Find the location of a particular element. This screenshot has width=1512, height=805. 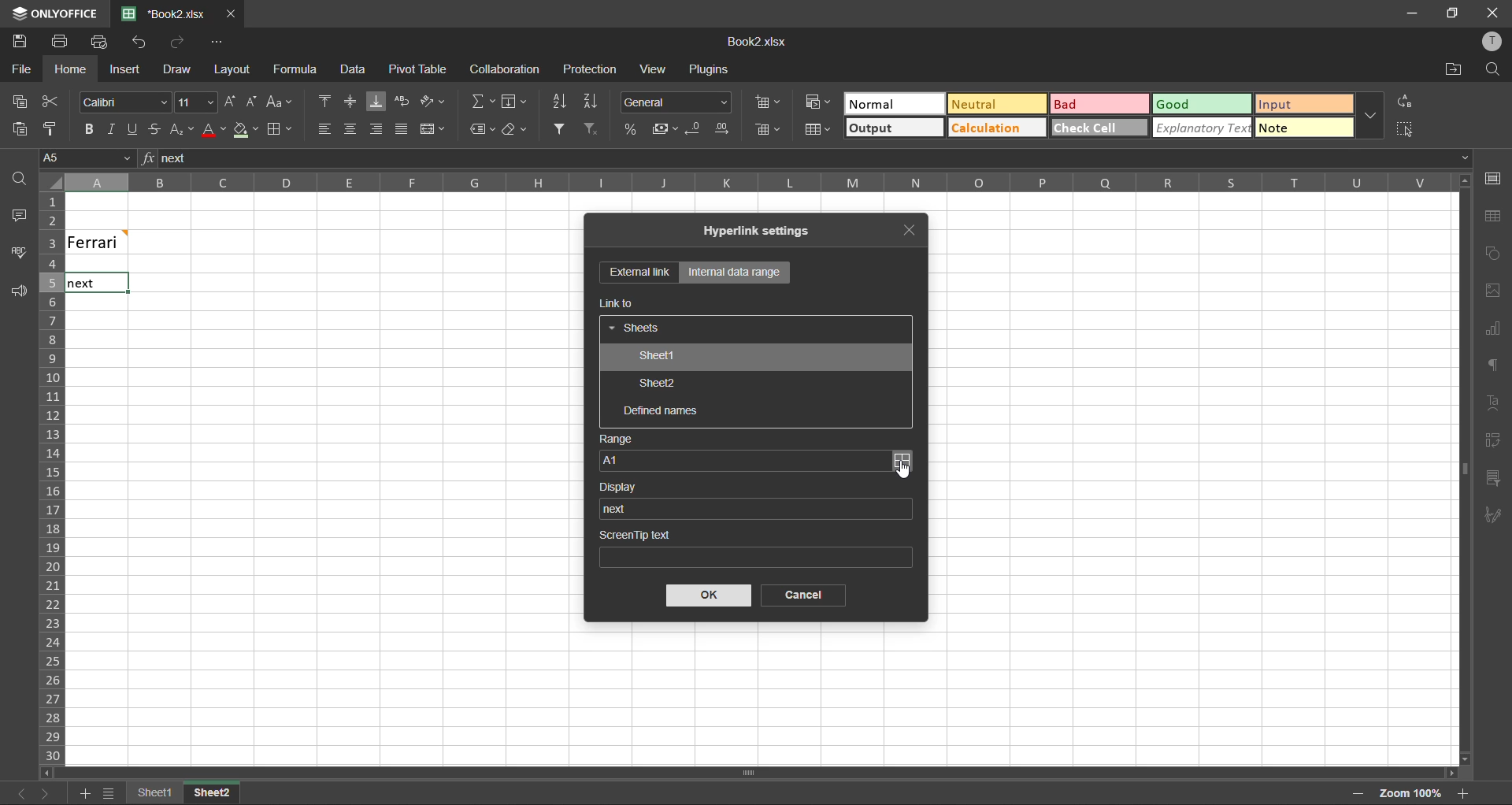

layout is located at coordinates (229, 69).